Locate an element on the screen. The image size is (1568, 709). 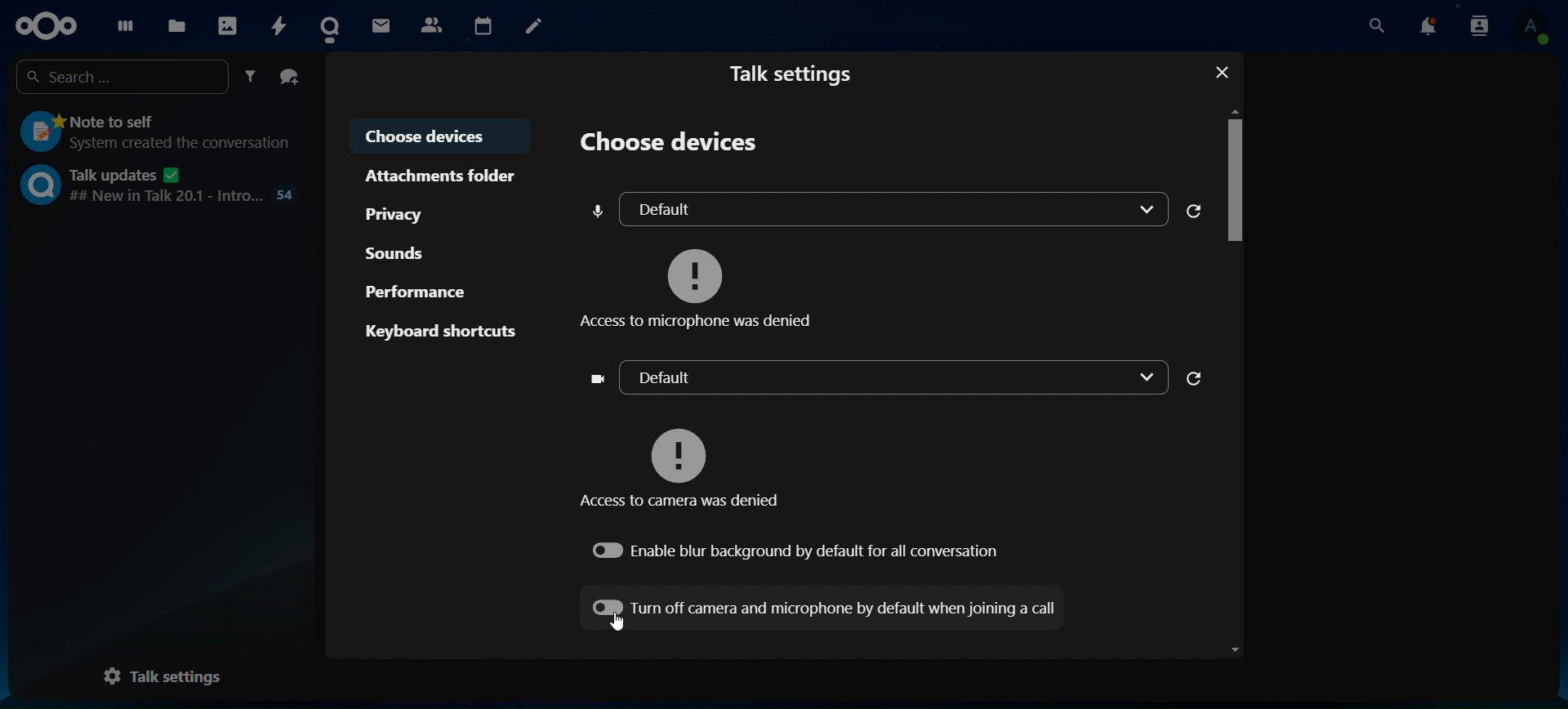
icon is located at coordinates (46, 27).